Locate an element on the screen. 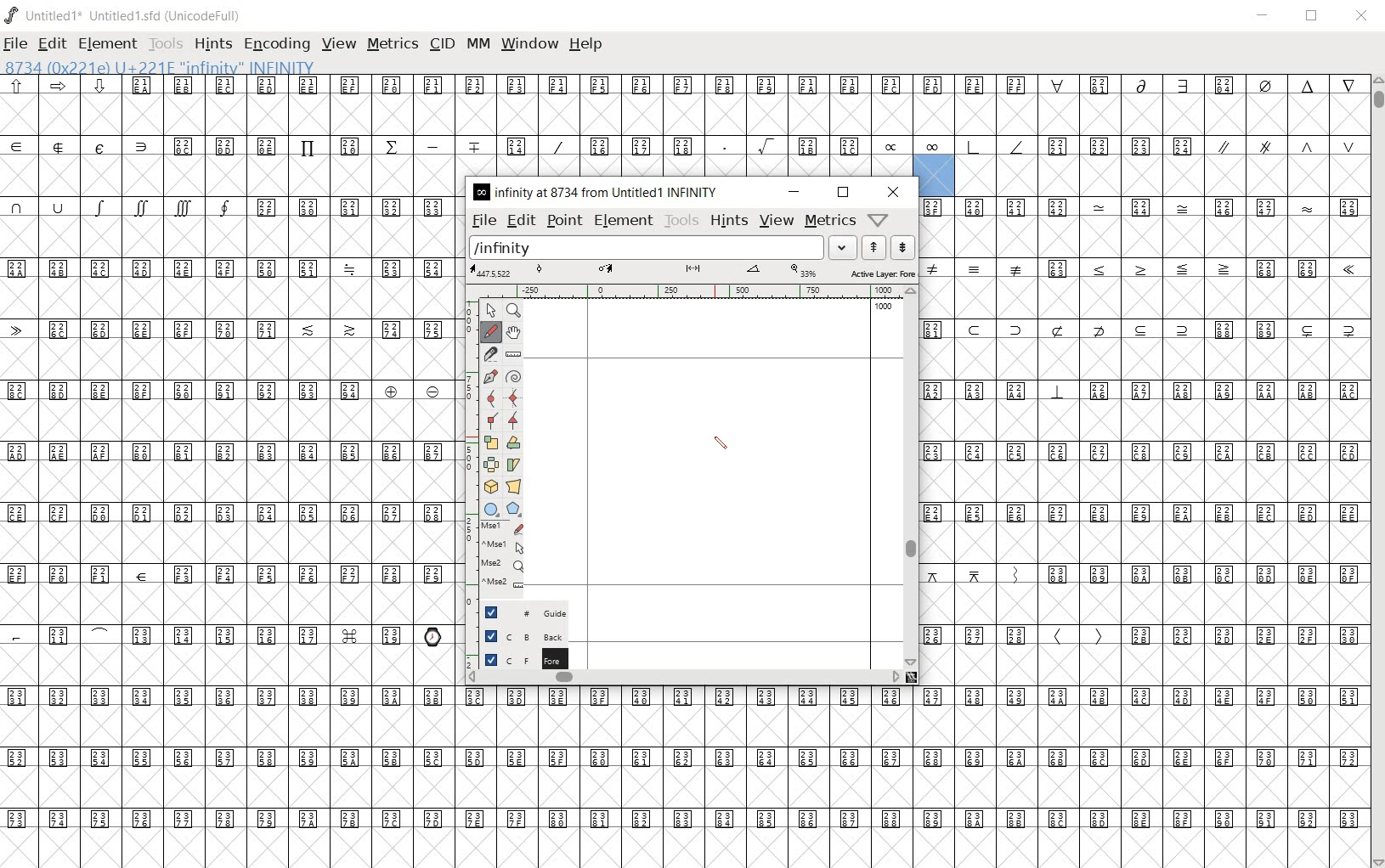  symbols is located at coordinates (1165, 269).